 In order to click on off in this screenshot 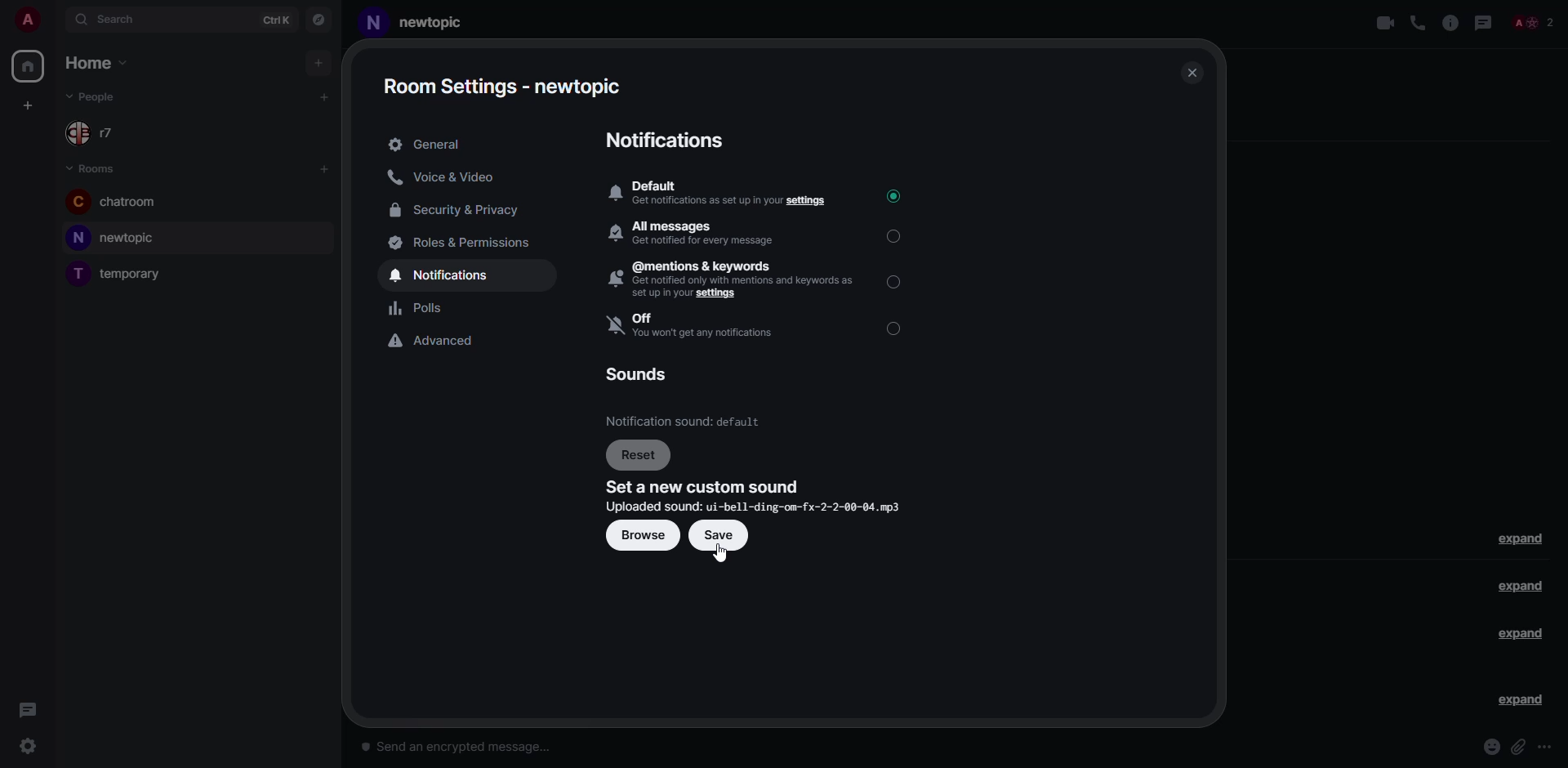, I will do `click(698, 326)`.